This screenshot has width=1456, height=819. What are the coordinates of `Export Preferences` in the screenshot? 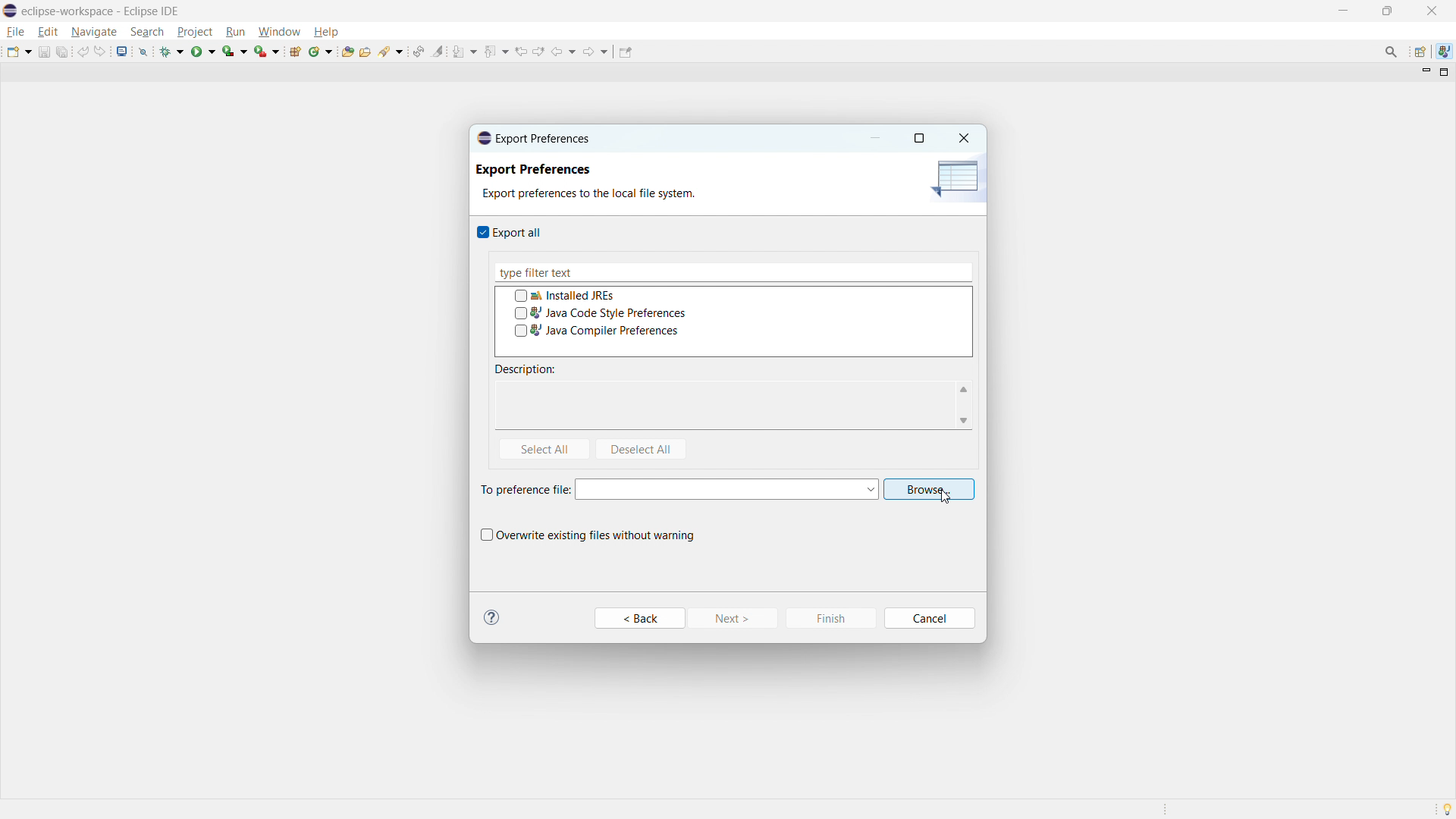 It's located at (536, 167).